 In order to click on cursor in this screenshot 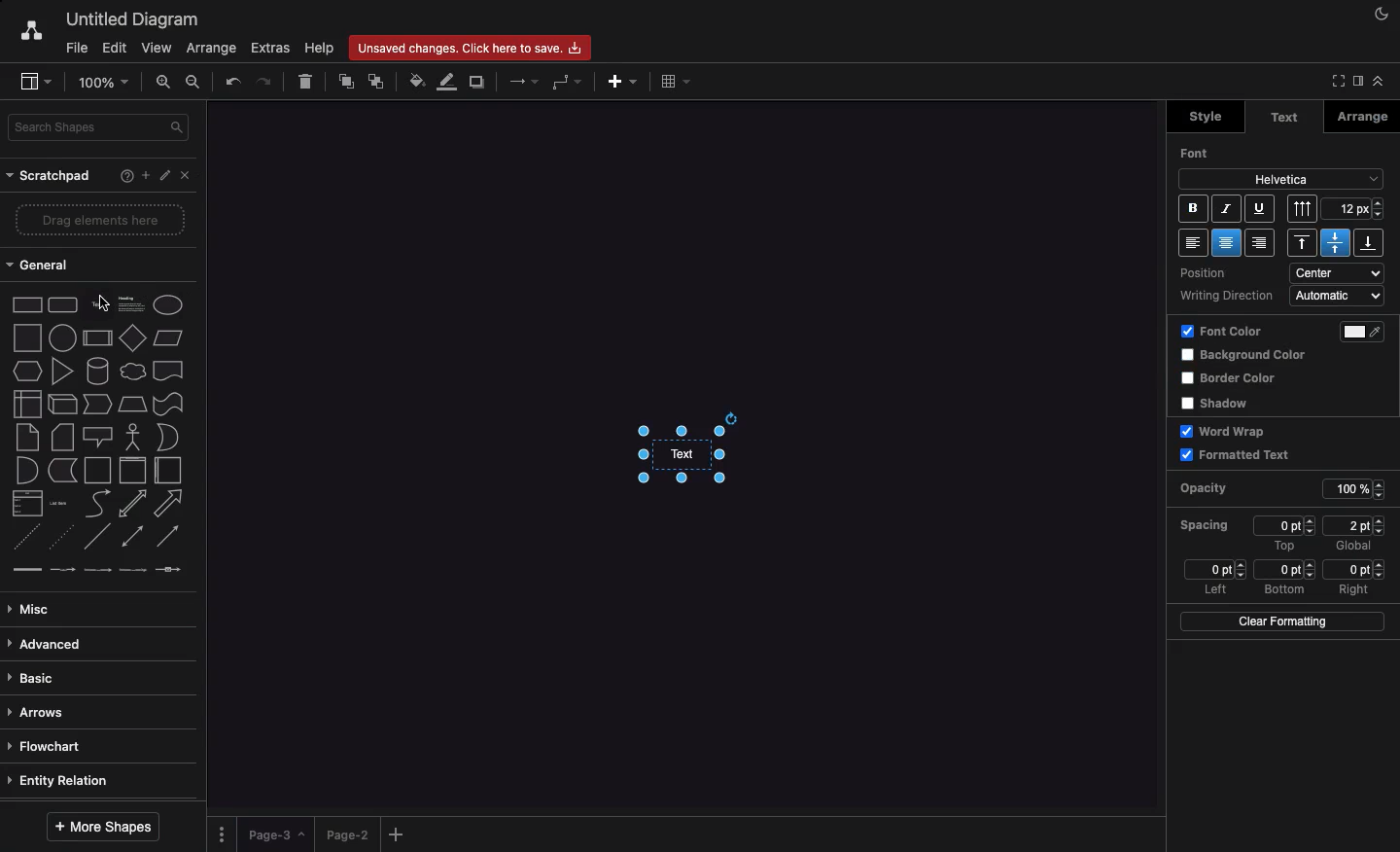, I will do `click(103, 302)`.